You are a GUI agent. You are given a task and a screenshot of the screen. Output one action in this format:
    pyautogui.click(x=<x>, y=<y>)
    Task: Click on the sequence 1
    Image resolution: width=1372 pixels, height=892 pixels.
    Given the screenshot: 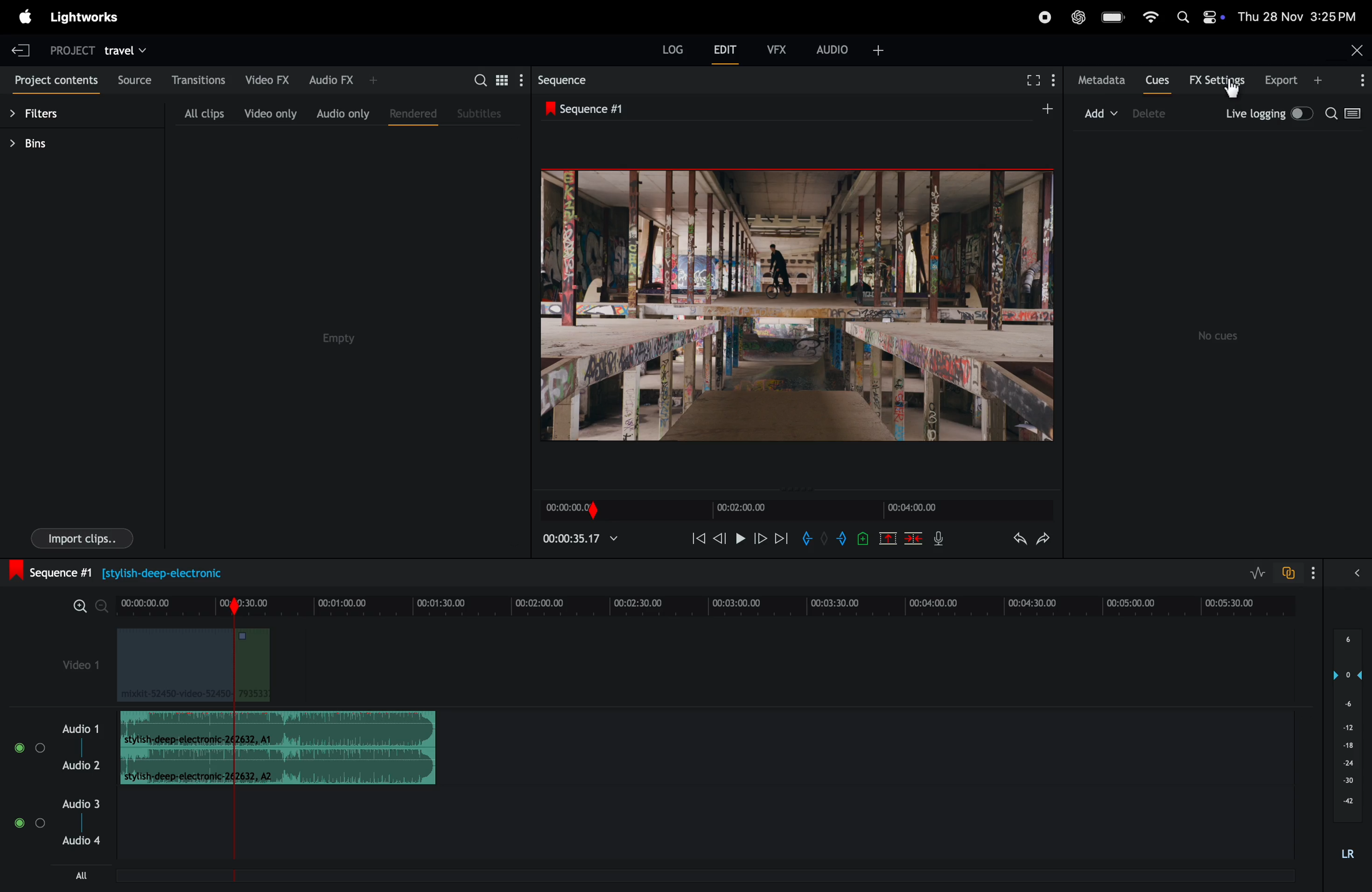 What is the action you would take?
    pyautogui.click(x=598, y=108)
    